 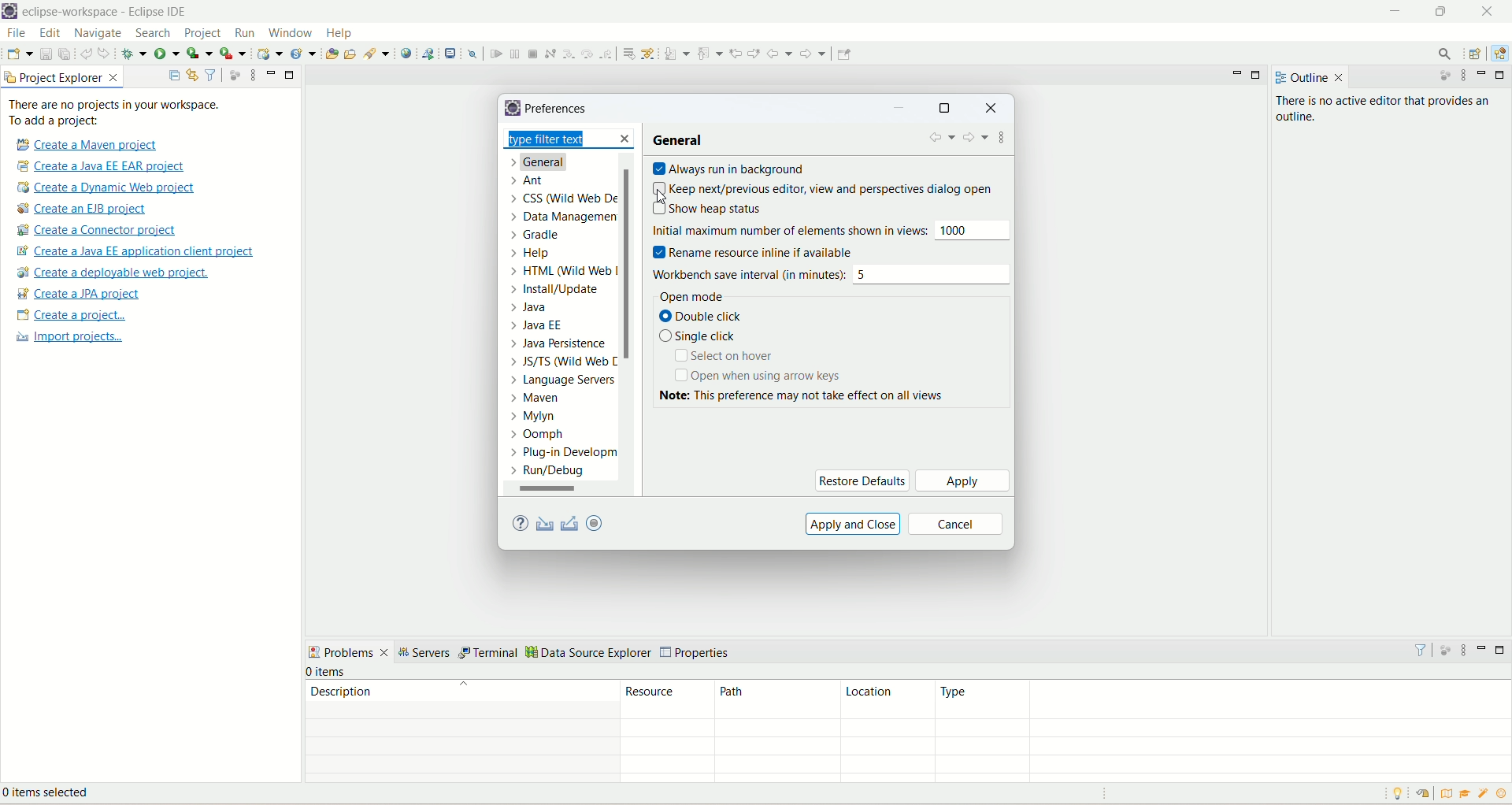 What do you see at coordinates (957, 524) in the screenshot?
I see `cancel` at bounding box center [957, 524].